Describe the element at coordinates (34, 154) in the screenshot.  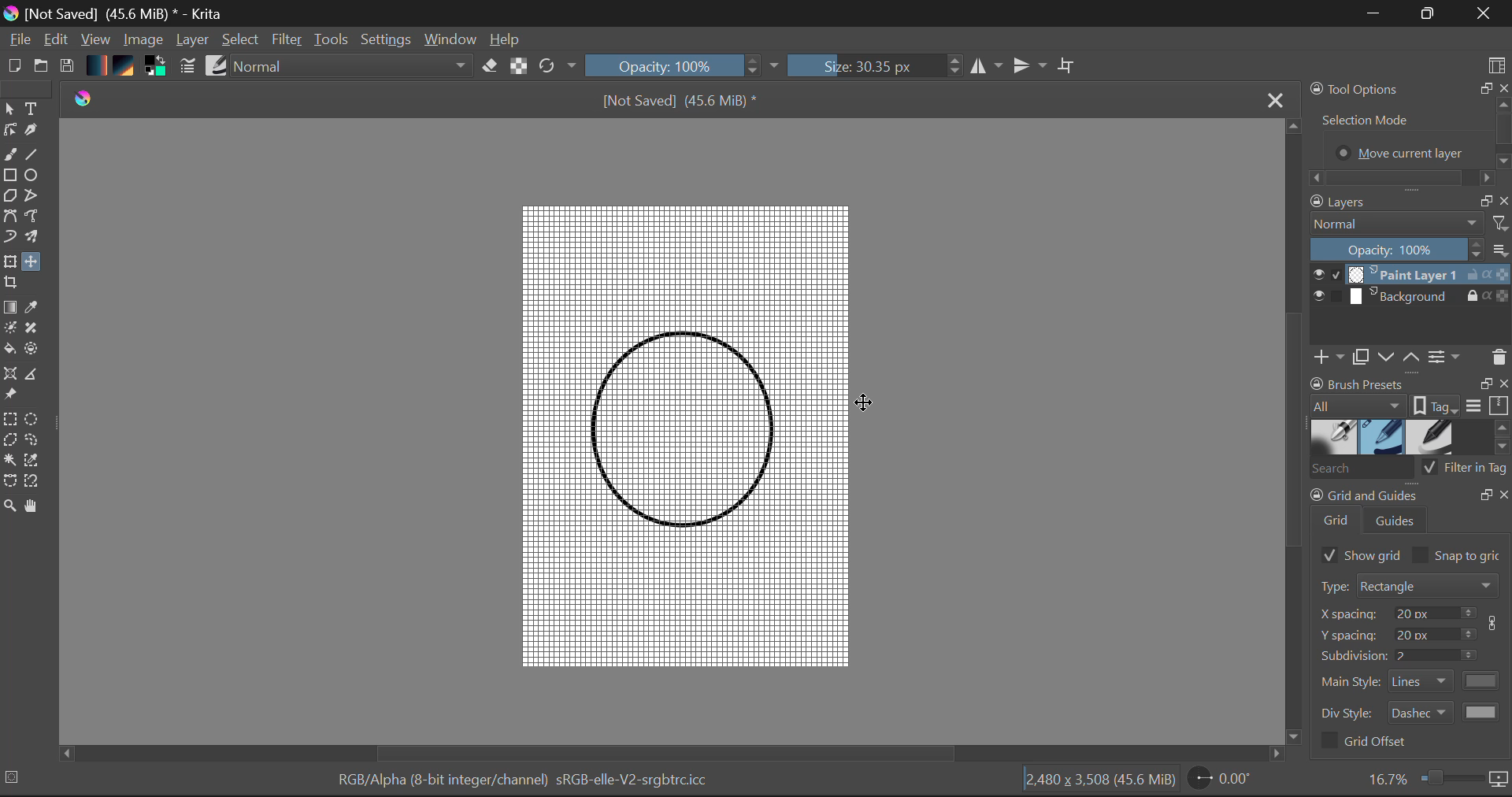
I see `Line` at that location.